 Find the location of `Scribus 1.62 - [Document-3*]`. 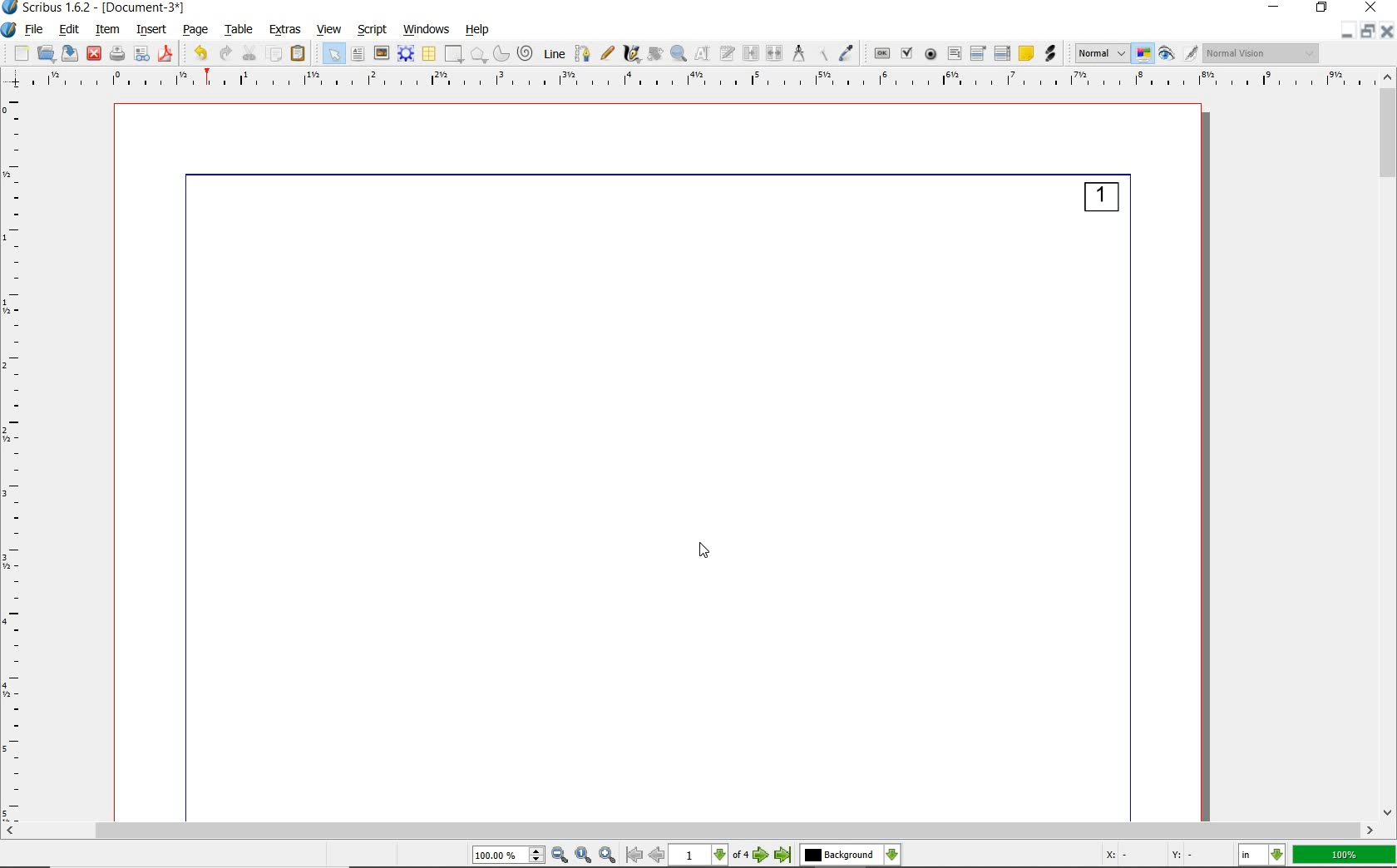

Scribus 1.62 - [Document-3*] is located at coordinates (101, 8).